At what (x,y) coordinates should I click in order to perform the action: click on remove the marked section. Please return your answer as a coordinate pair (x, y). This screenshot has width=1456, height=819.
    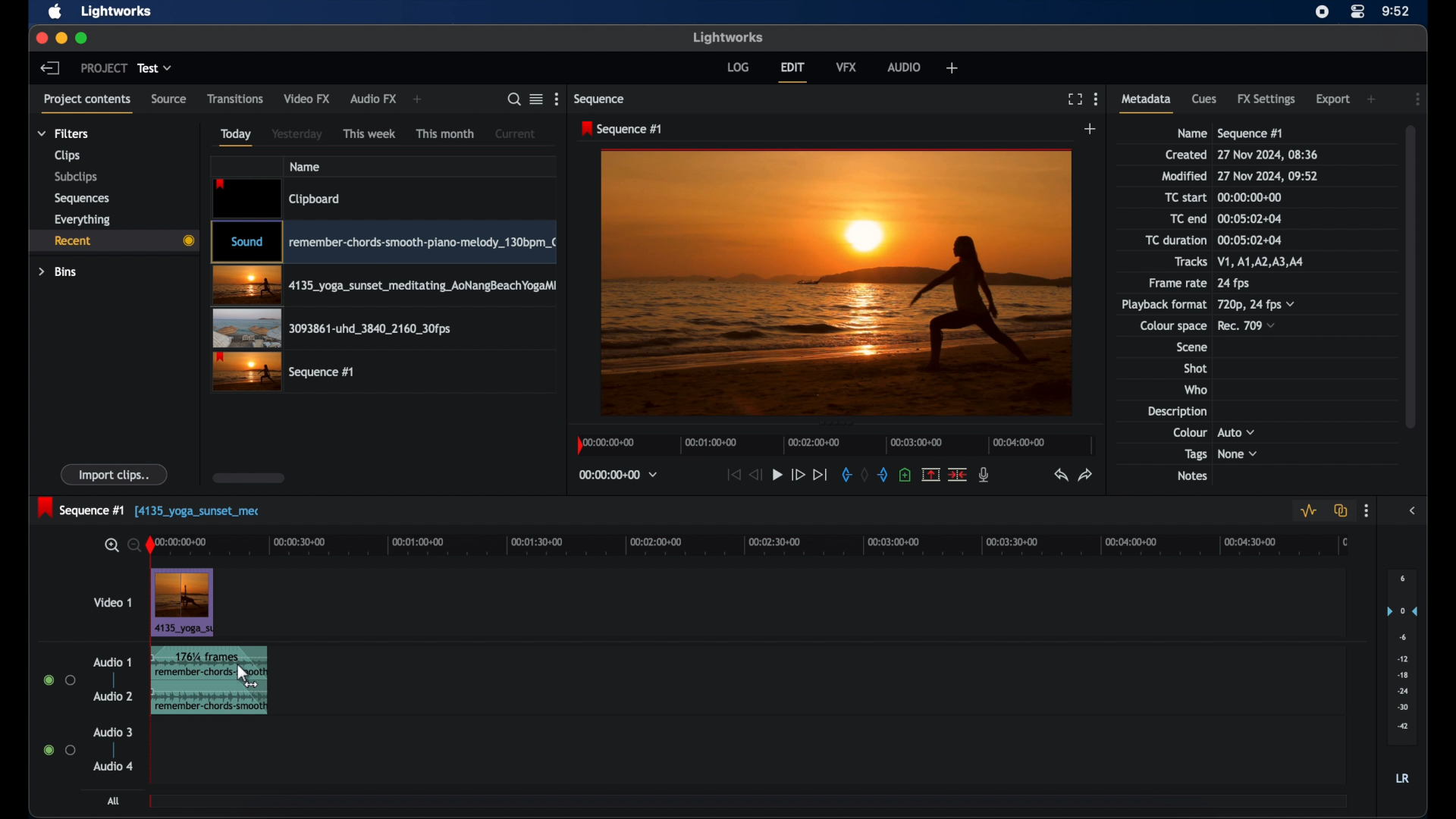
    Looking at the image, I should click on (931, 473).